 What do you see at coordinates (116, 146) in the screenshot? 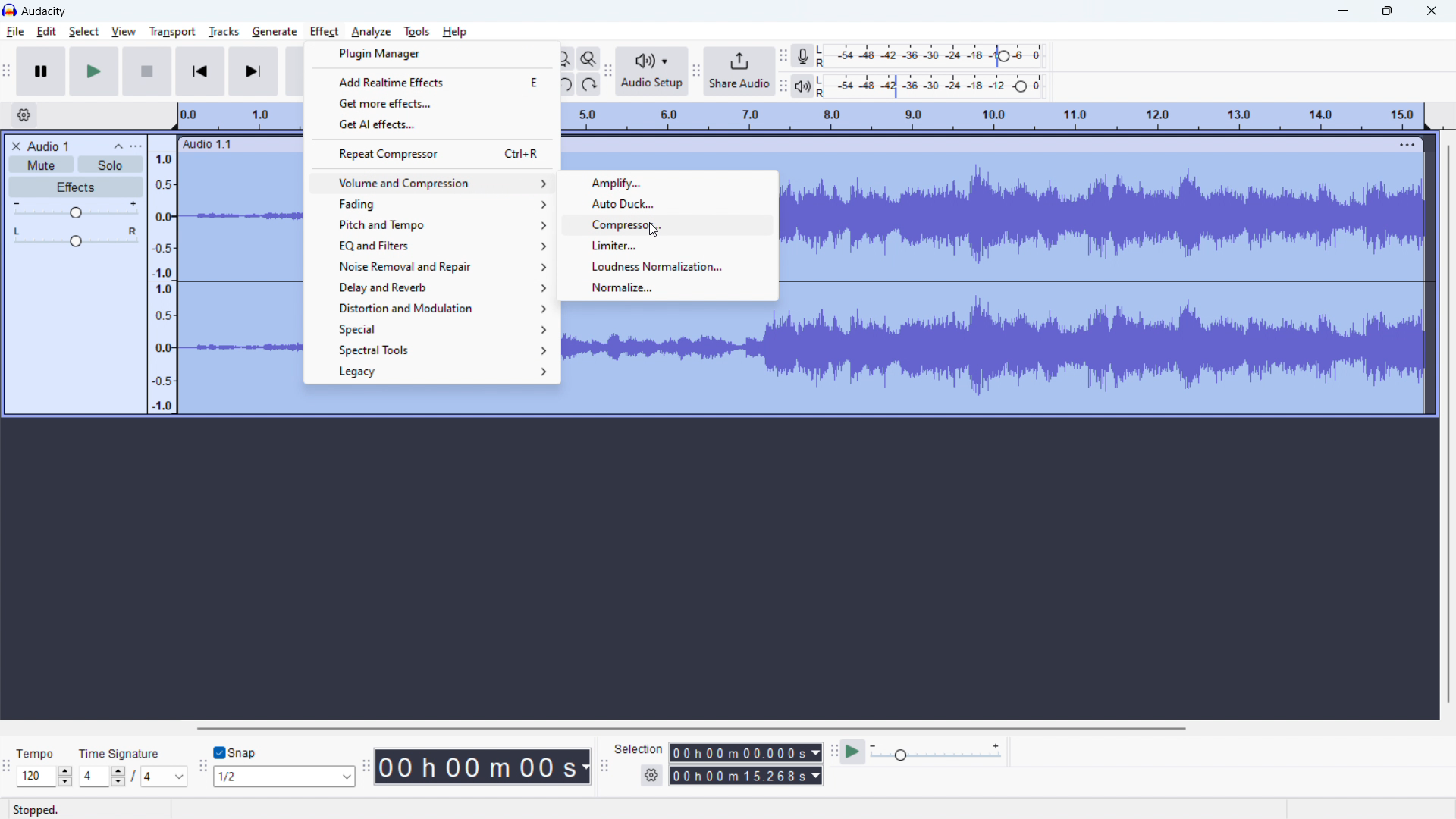
I see `collapse` at bounding box center [116, 146].